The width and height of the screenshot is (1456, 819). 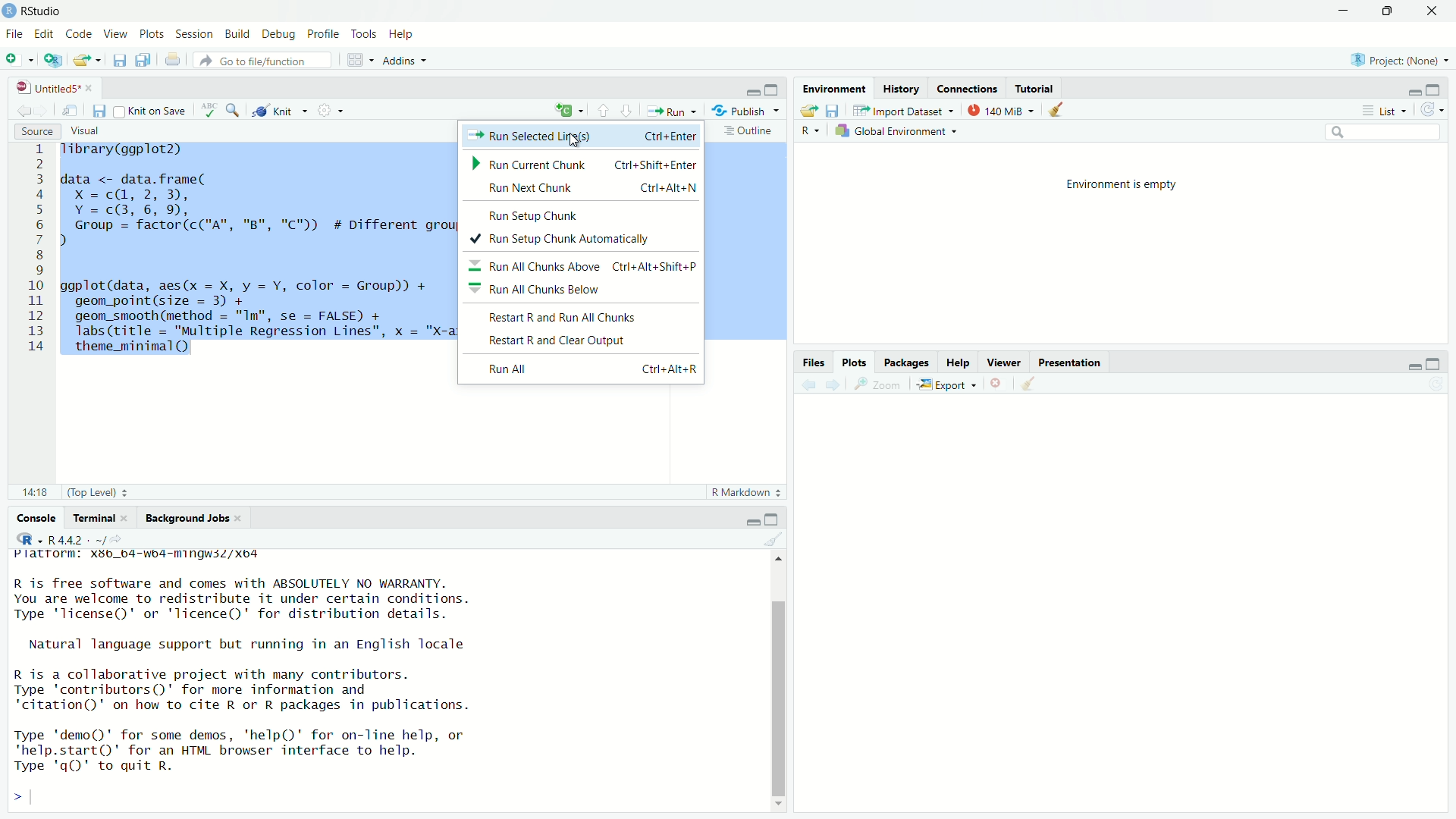 I want to click on ‘Go to file/function, so click(x=259, y=61).